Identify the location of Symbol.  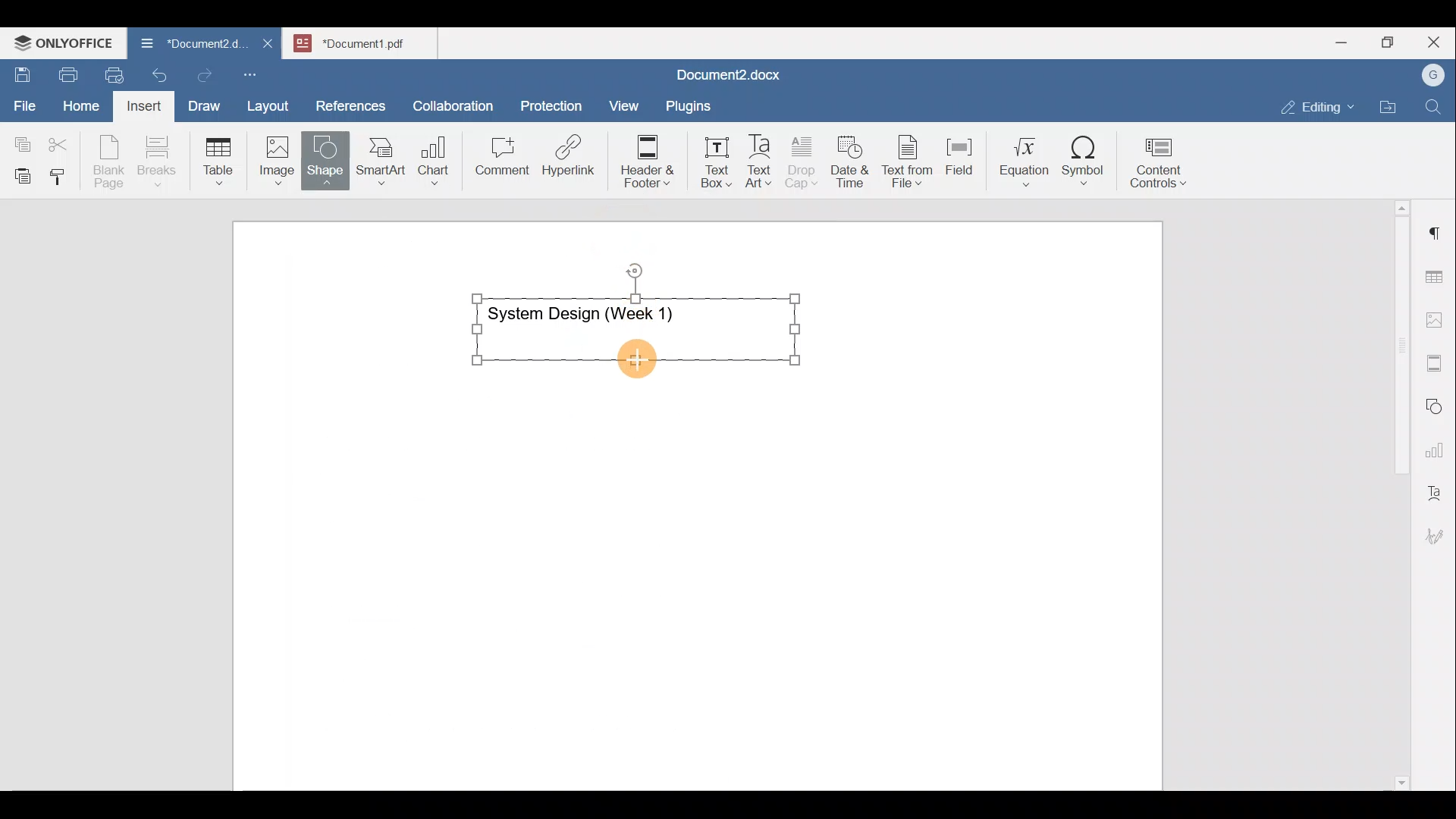
(1084, 165).